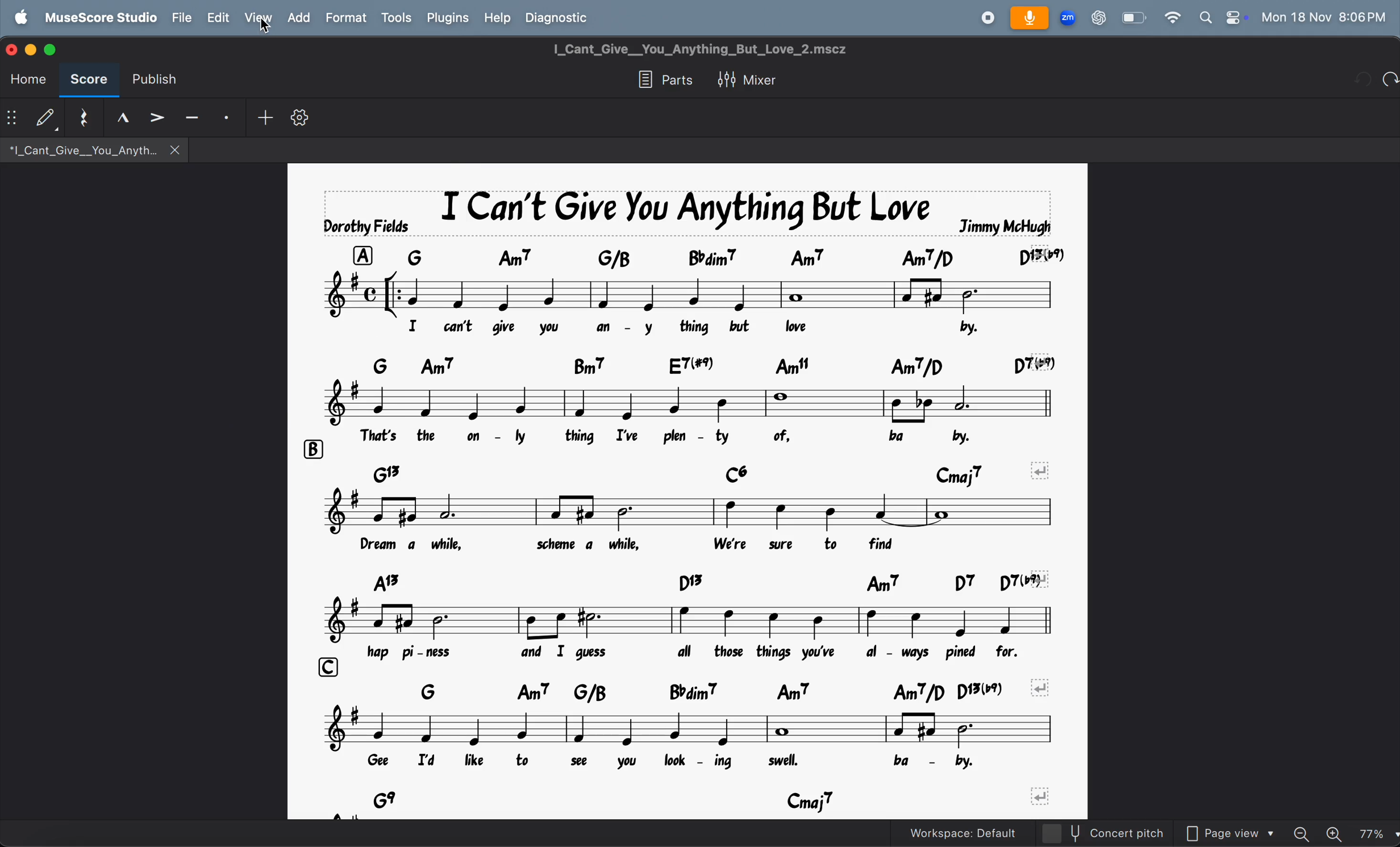 This screenshot has height=847, width=1400. What do you see at coordinates (325, 666) in the screenshot?
I see `rows` at bounding box center [325, 666].